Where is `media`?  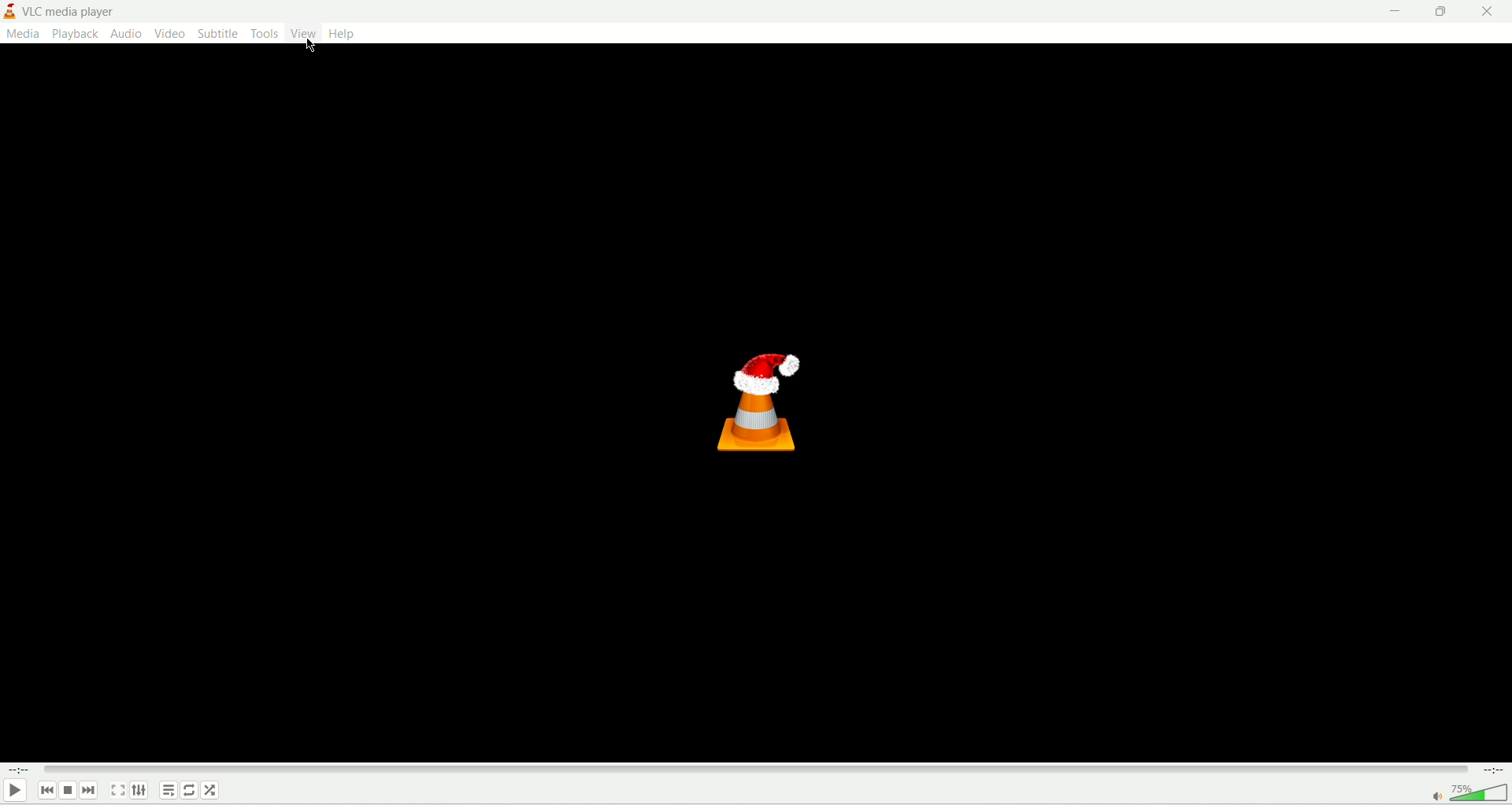
media is located at coordinates (22, 35).